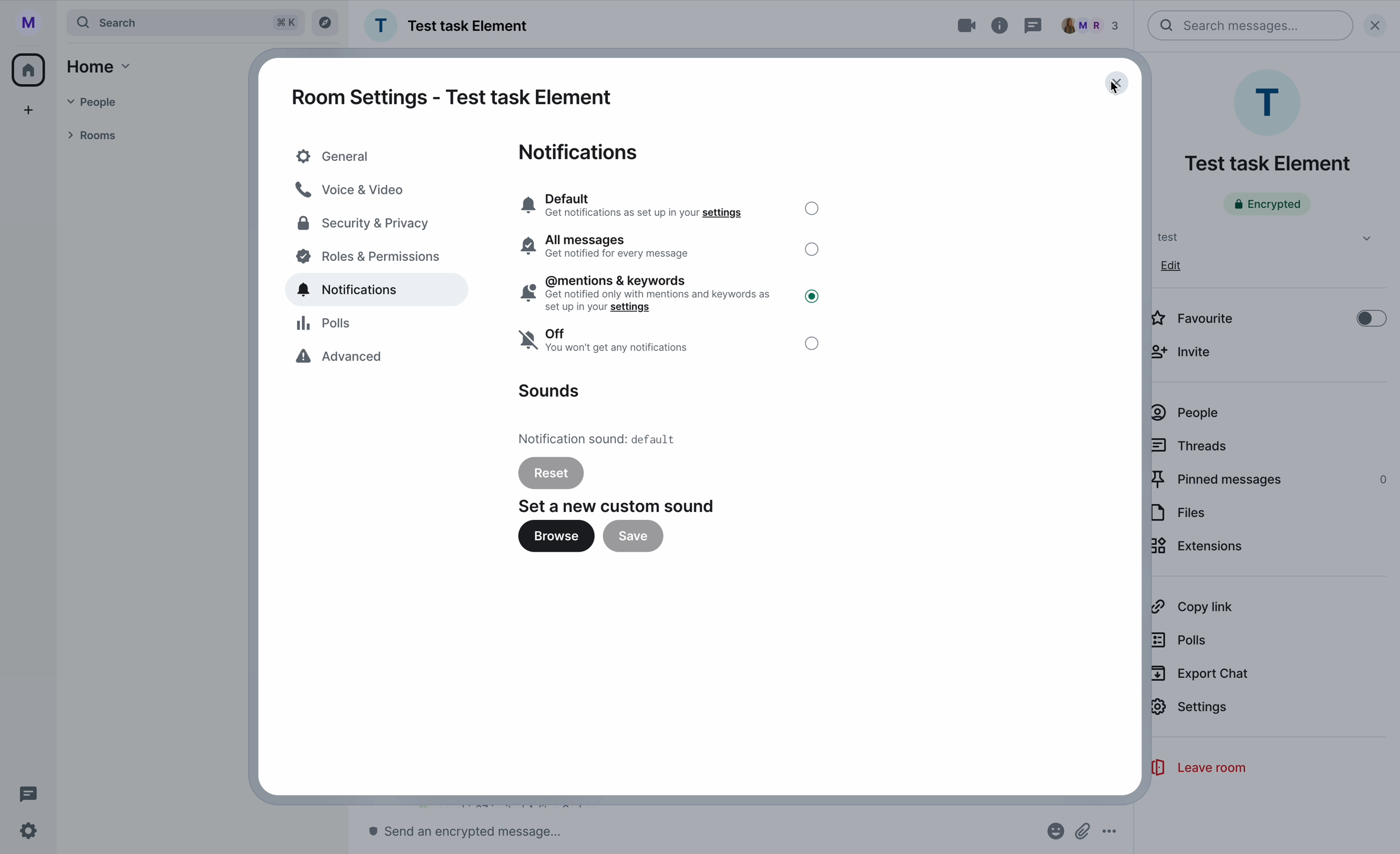 The width and height of the screenshot is (1400, 854). What do you see at coordinates (1267, 164) in the screenshot?
I see `name room` at bounding box center [1267, 164].